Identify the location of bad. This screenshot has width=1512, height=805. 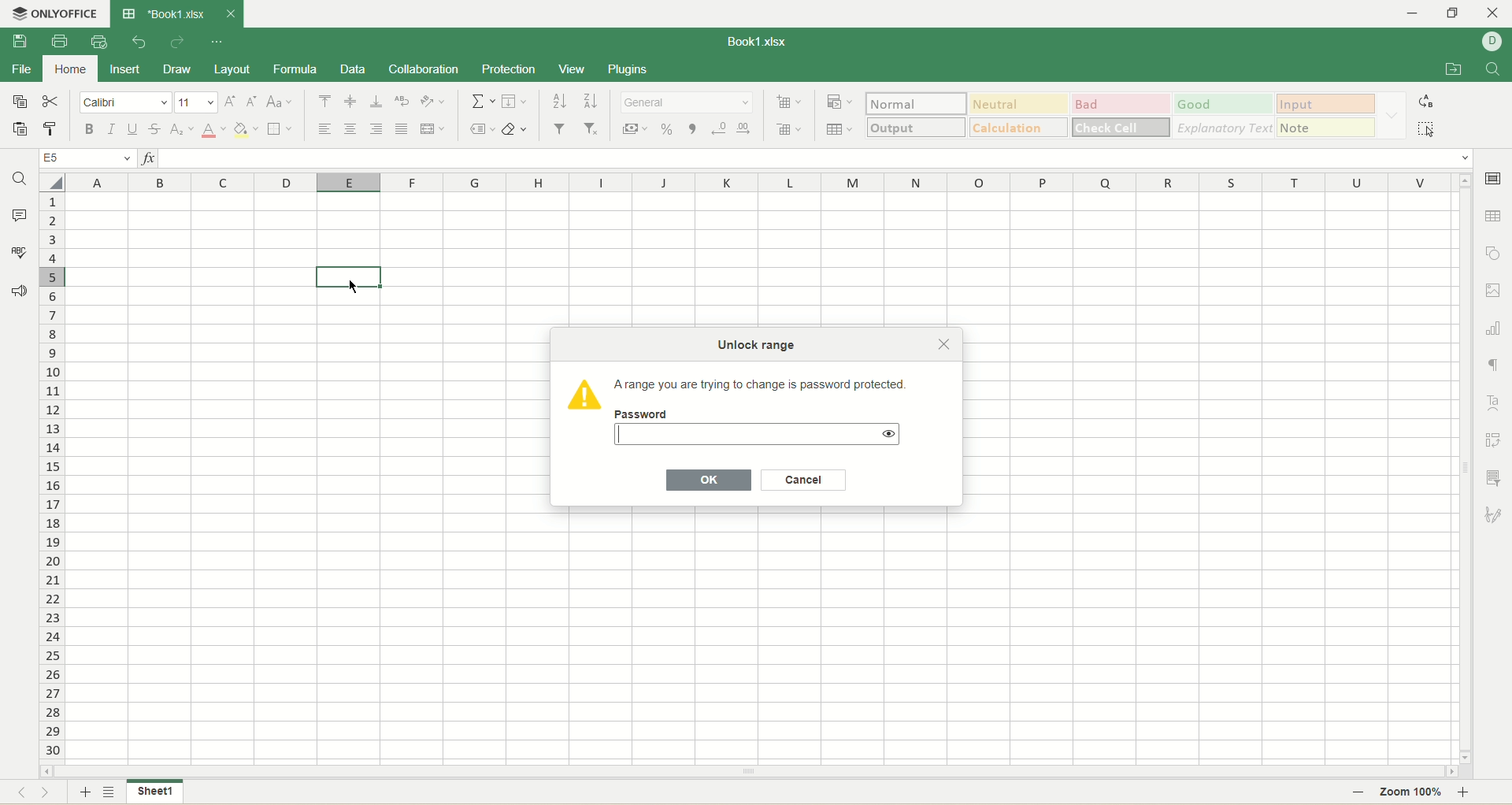
(1121, 104).